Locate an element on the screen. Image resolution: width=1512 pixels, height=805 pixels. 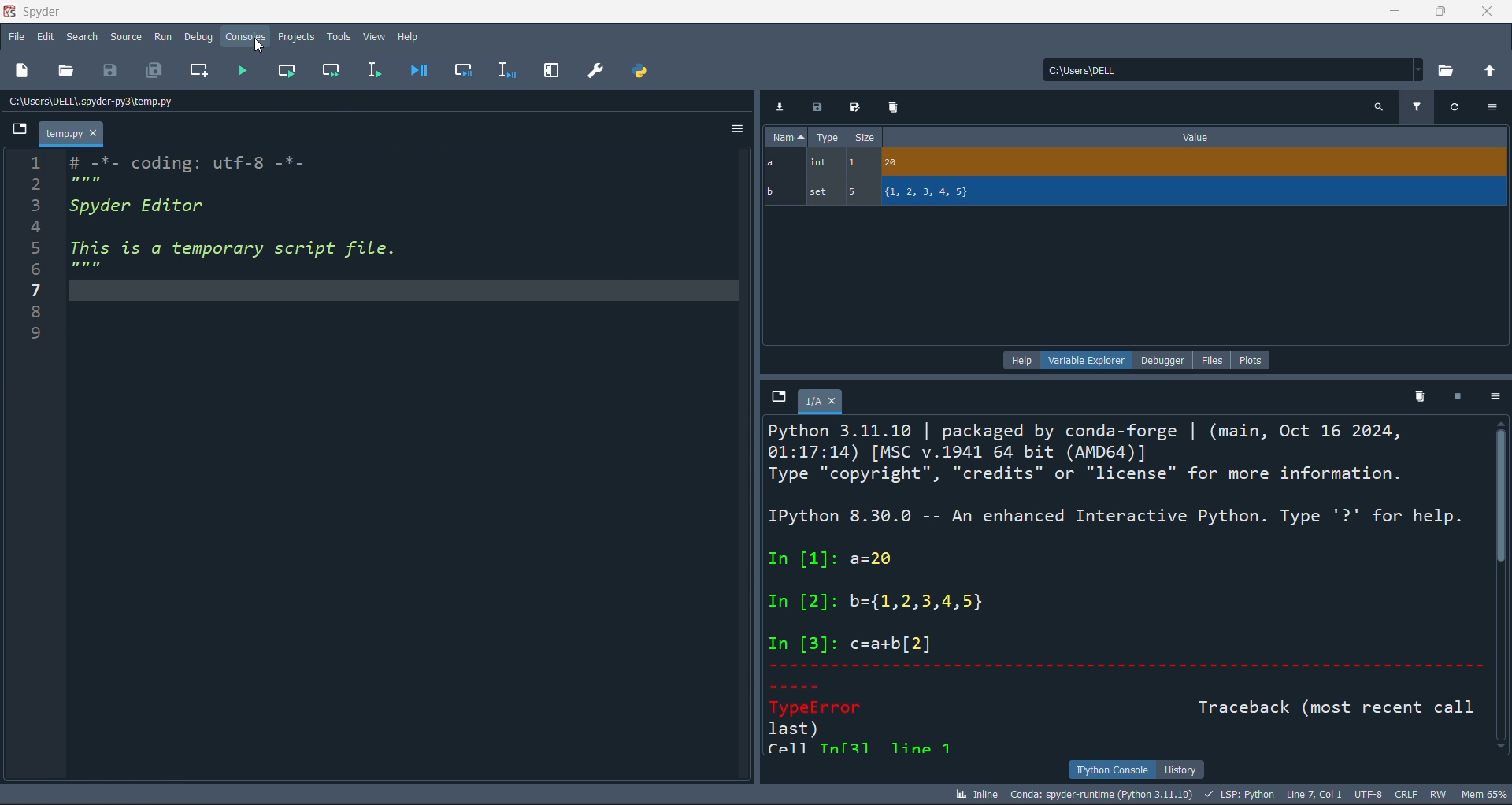
run cell is located at coordinates (287, 72).